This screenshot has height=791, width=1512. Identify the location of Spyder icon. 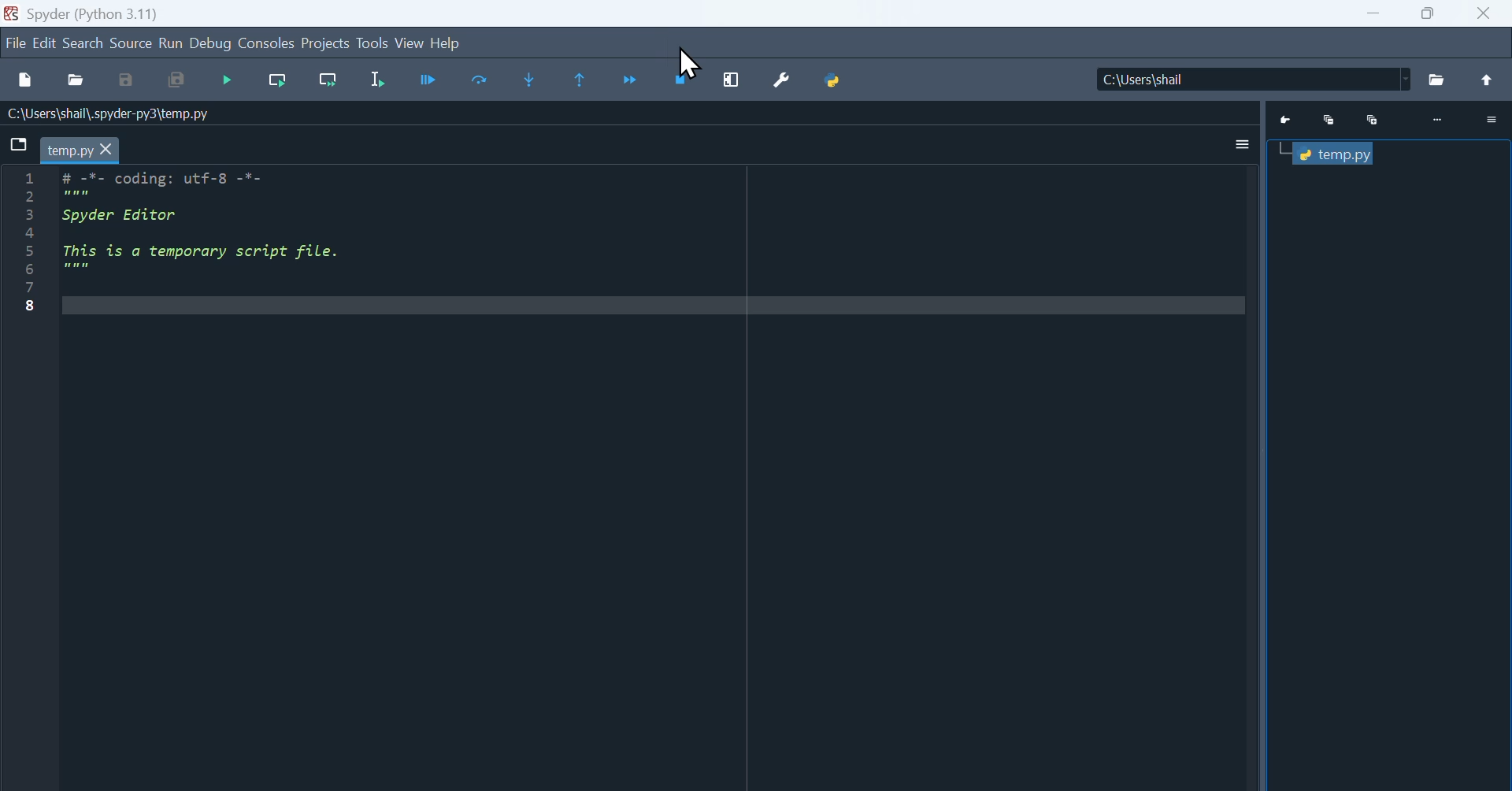
(11, 13).